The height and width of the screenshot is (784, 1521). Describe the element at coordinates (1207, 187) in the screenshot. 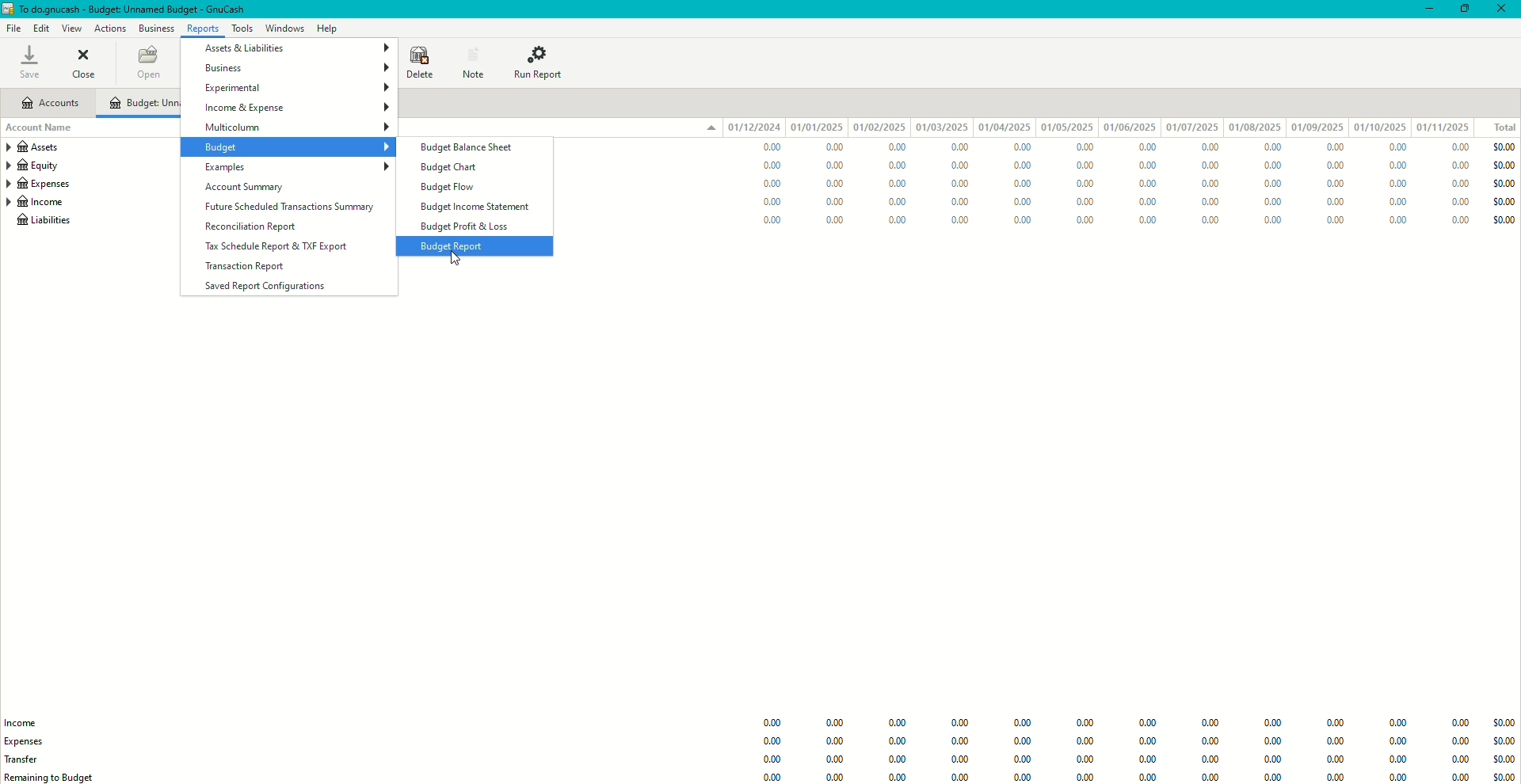

I see `0.00` at that location.